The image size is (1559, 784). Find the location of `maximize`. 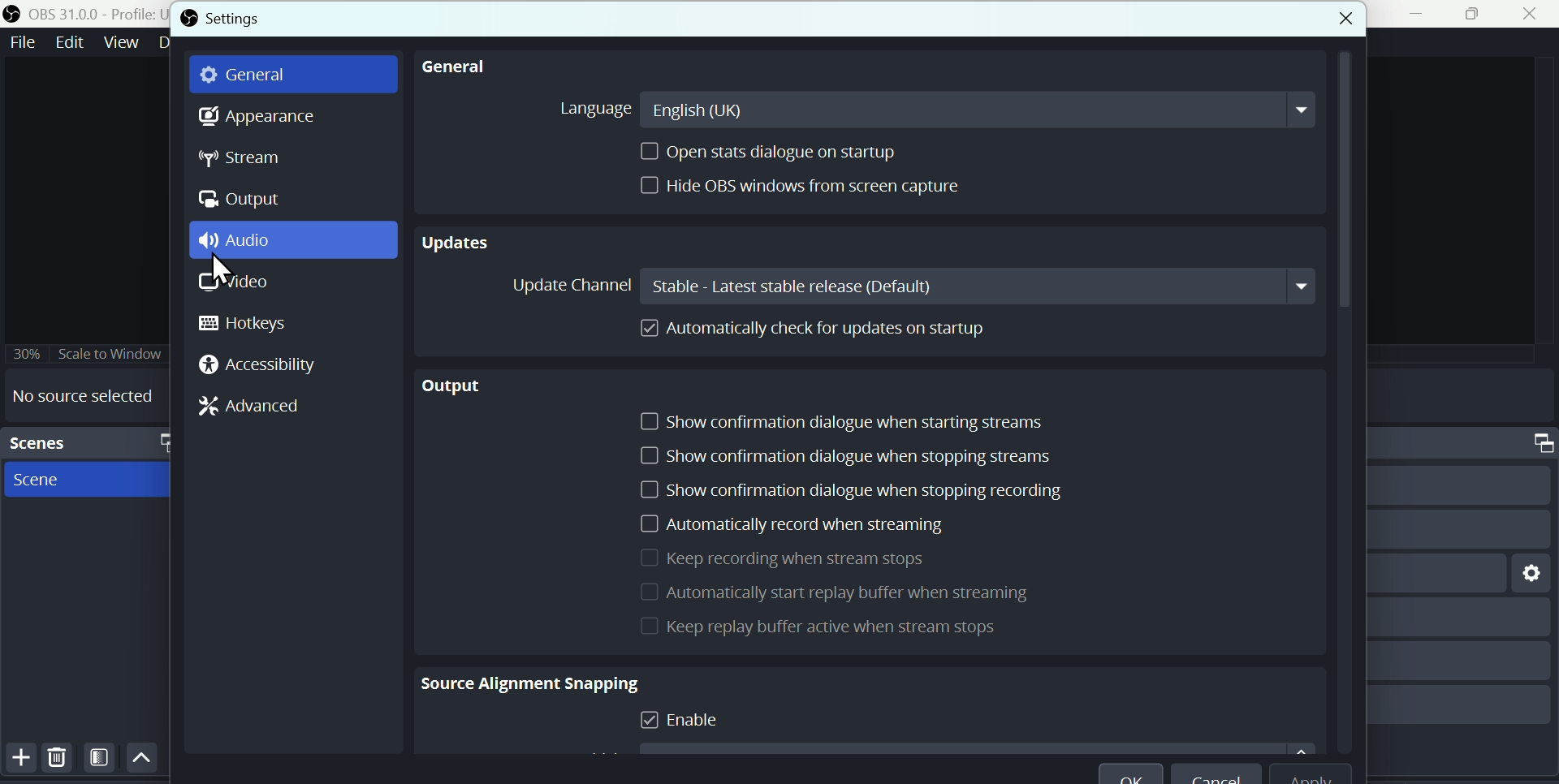

maximize is located at coordinates (1535, 443).